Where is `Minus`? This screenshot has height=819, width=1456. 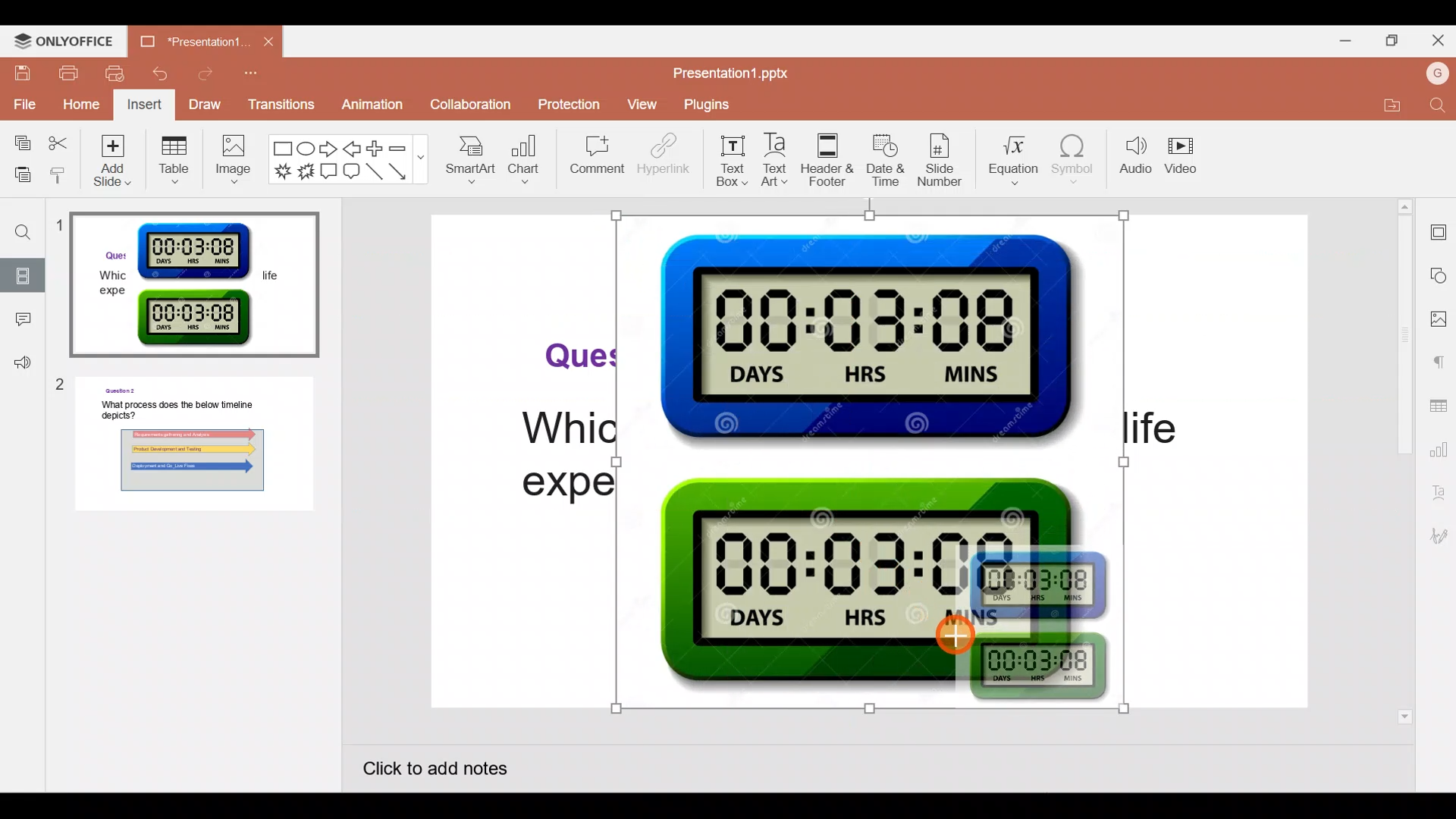 Minus is located at coordinates (406, 146).